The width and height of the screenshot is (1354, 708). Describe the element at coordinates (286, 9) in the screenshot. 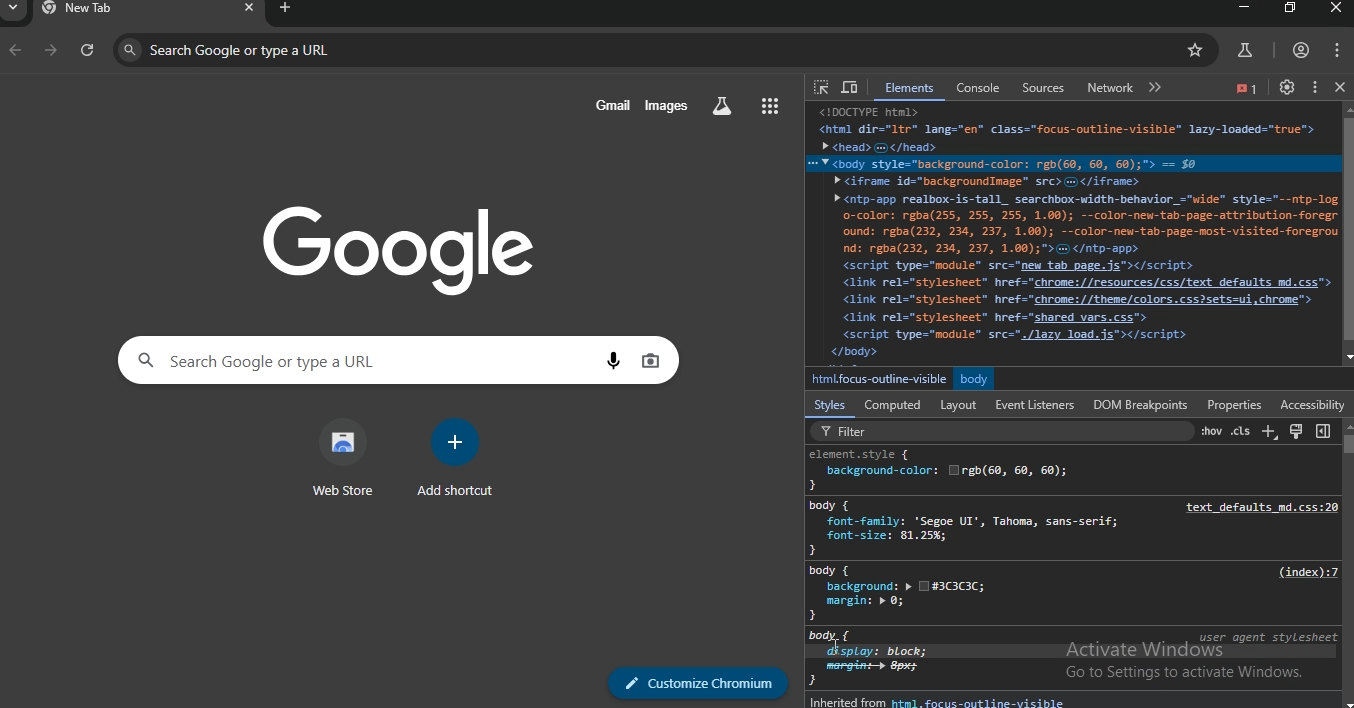

I see `new tab` at that location.